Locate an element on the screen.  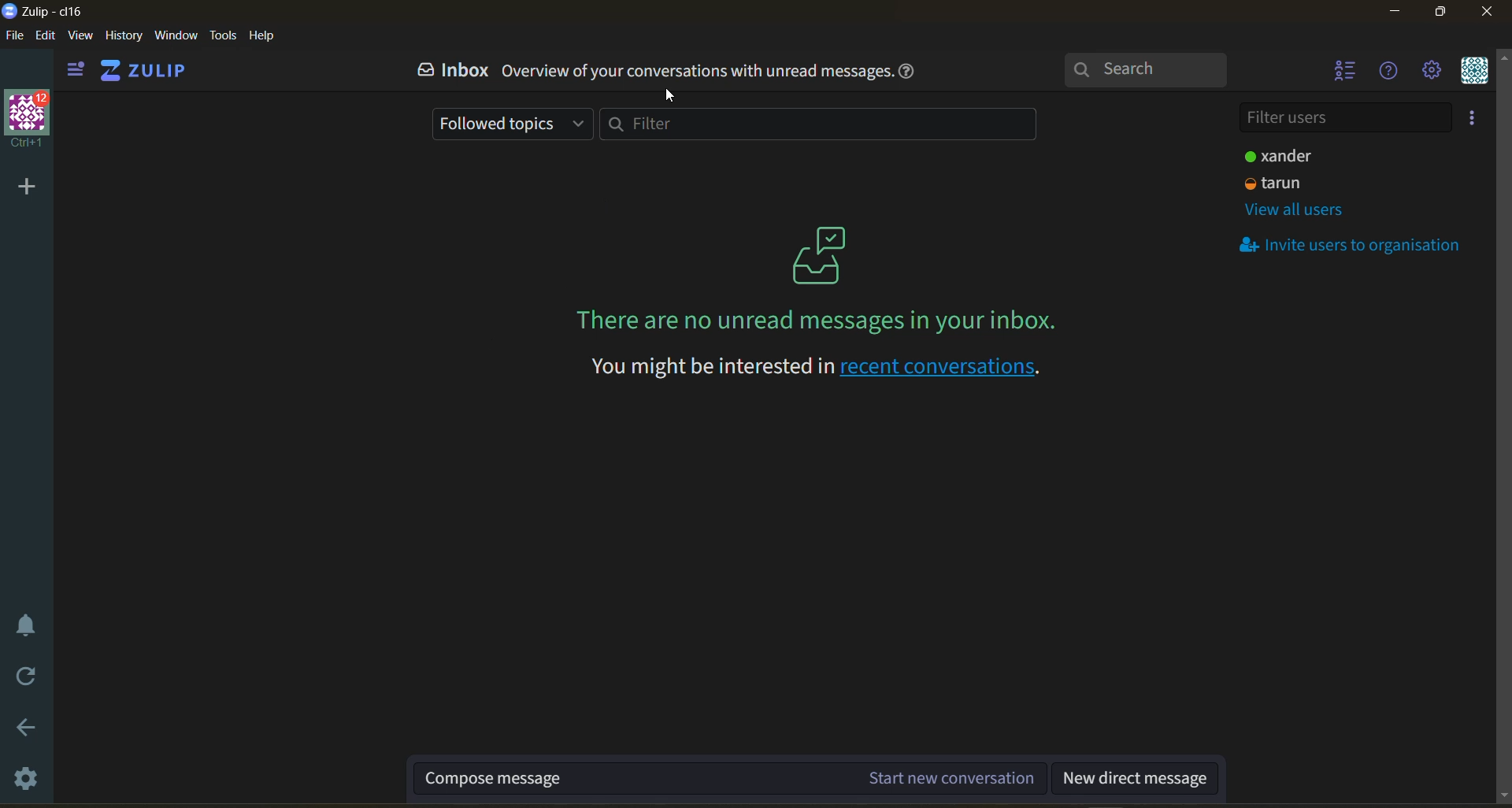
hide user list is located at coordinates (1347, 72).